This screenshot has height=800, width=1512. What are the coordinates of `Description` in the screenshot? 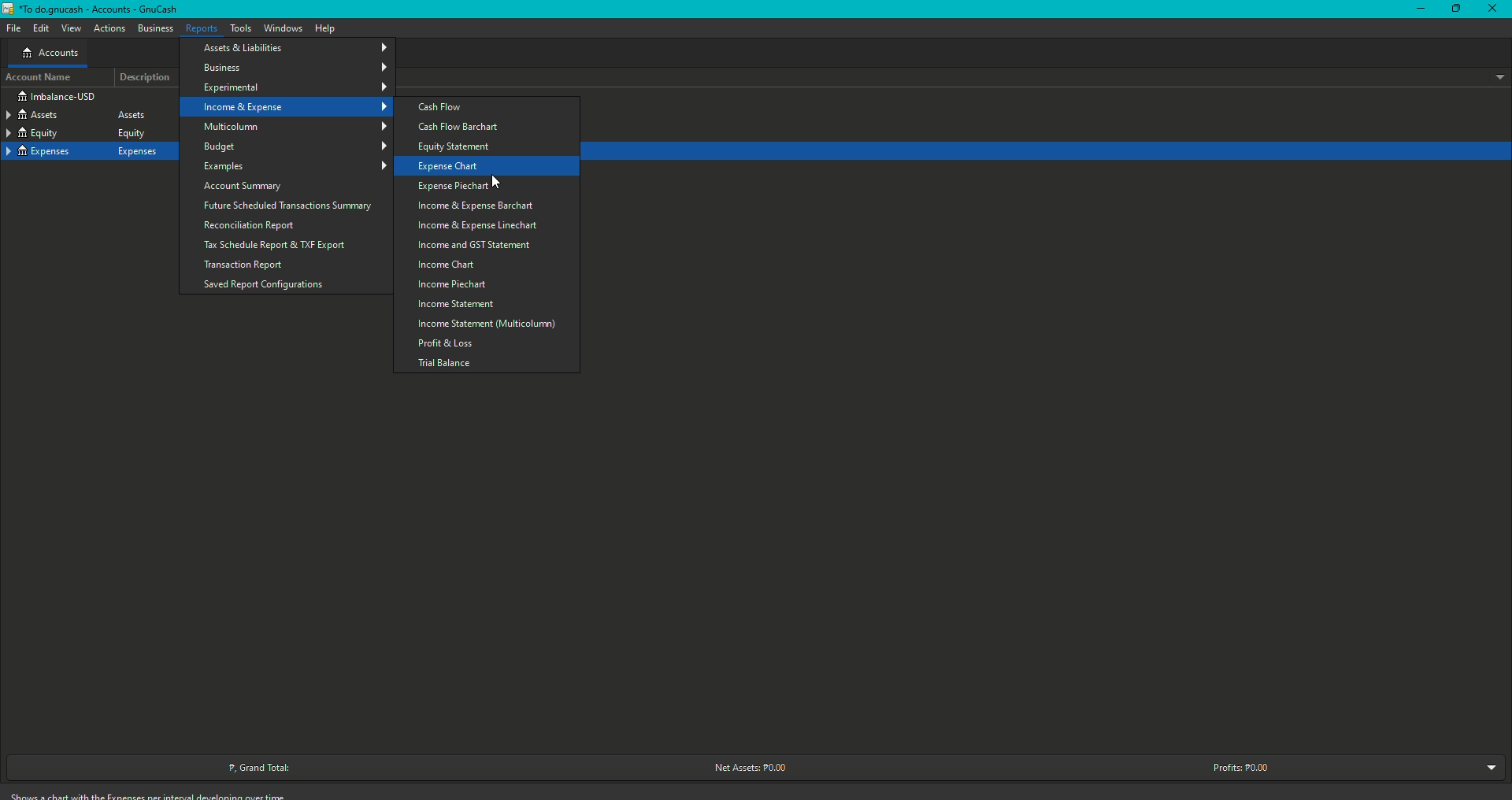 It's located at (145, 77).